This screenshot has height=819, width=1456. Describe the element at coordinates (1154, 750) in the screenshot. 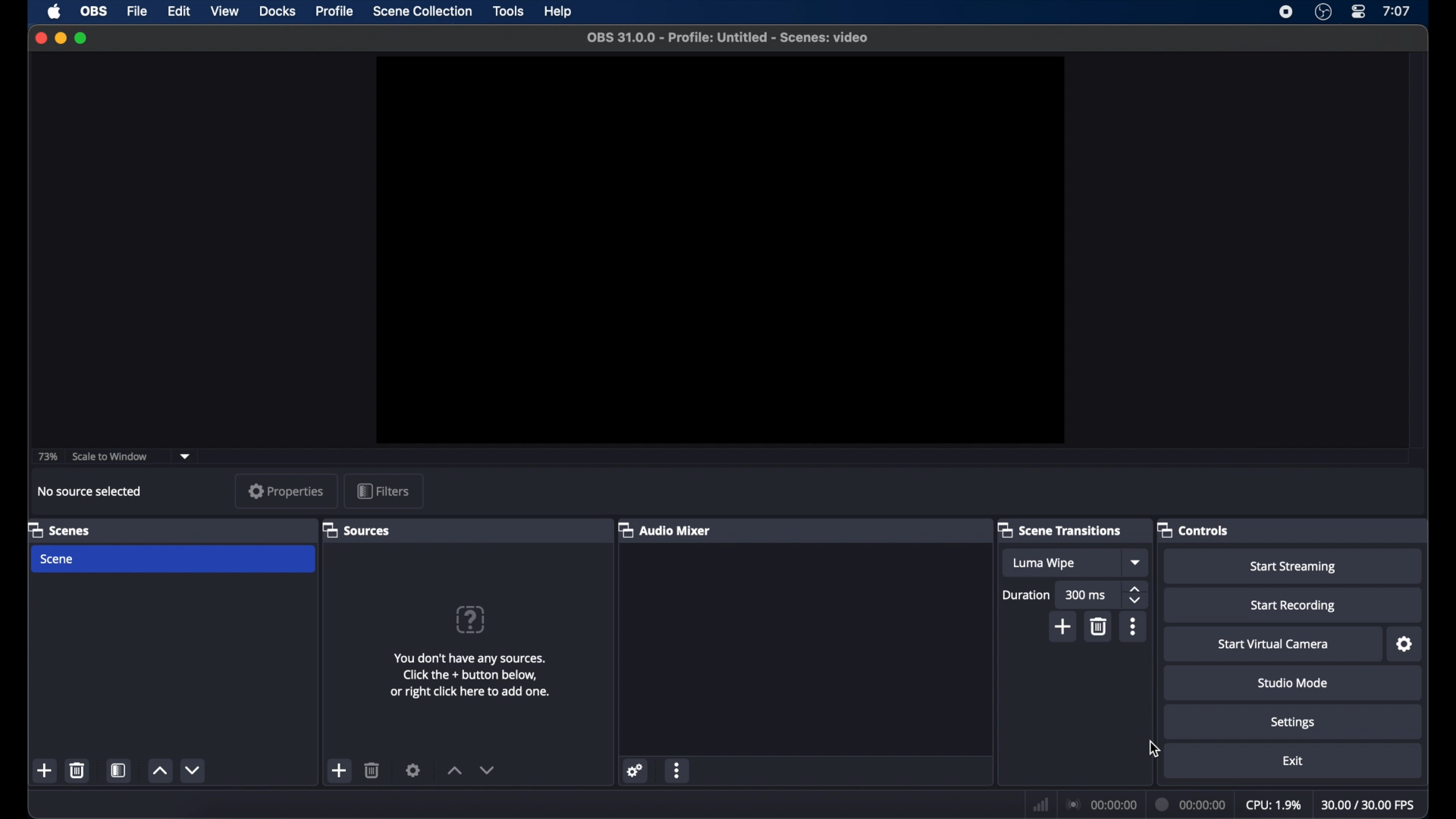

I see `cursor` at that location.